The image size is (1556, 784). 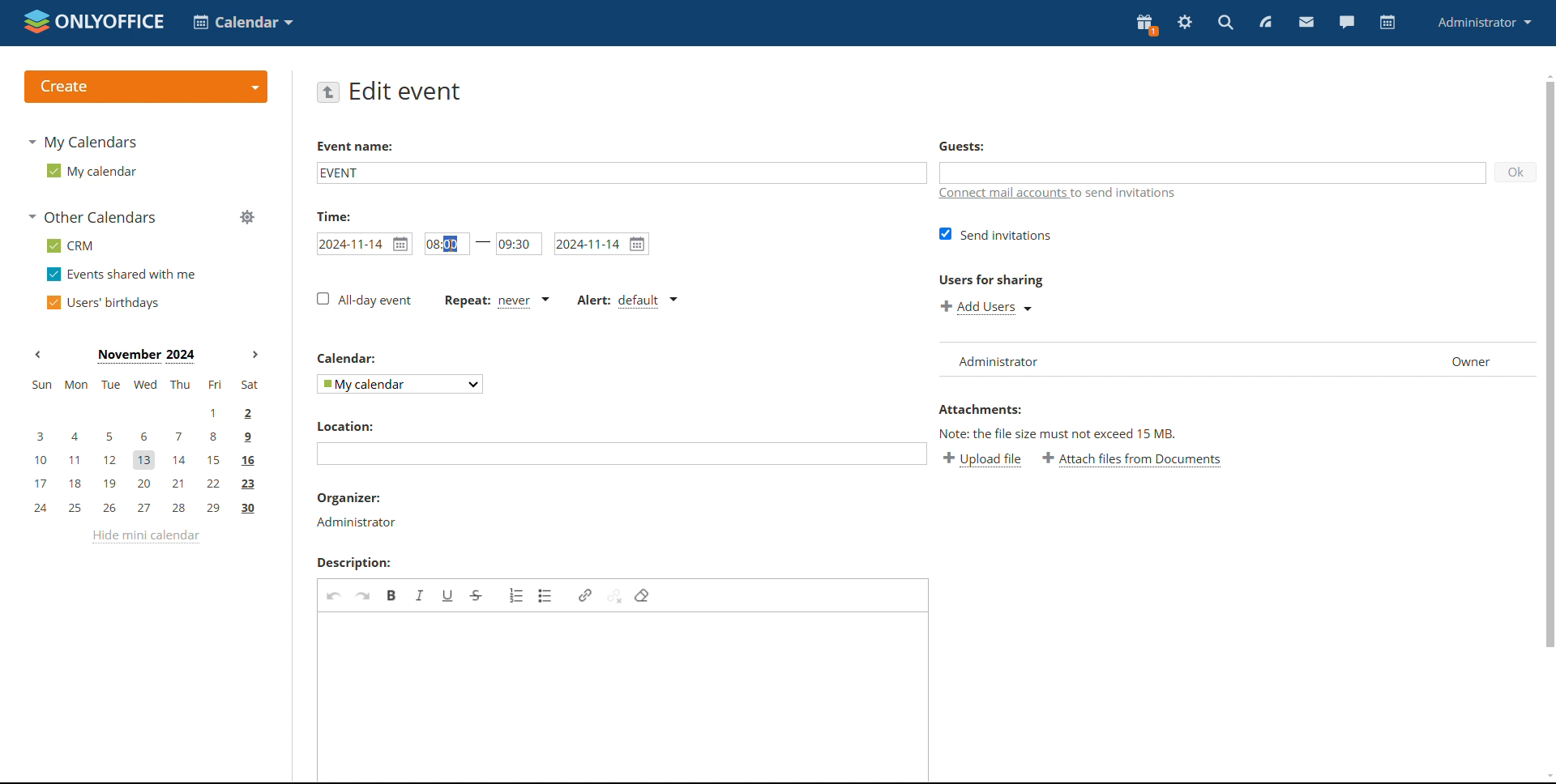 I want to click on present, so click(x=1145, y=25).